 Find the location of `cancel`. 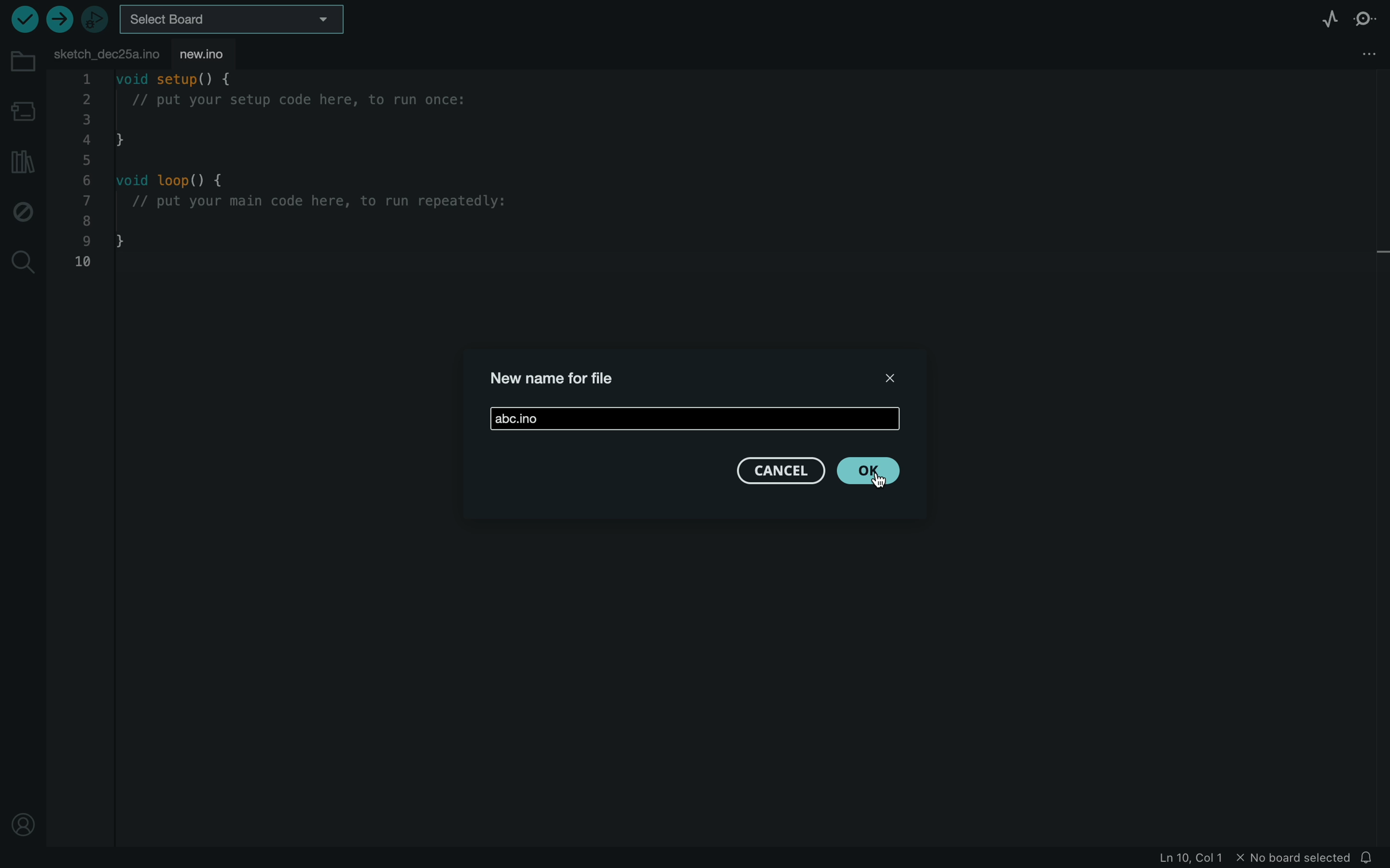

cancel is located at coordinates (779, 473).